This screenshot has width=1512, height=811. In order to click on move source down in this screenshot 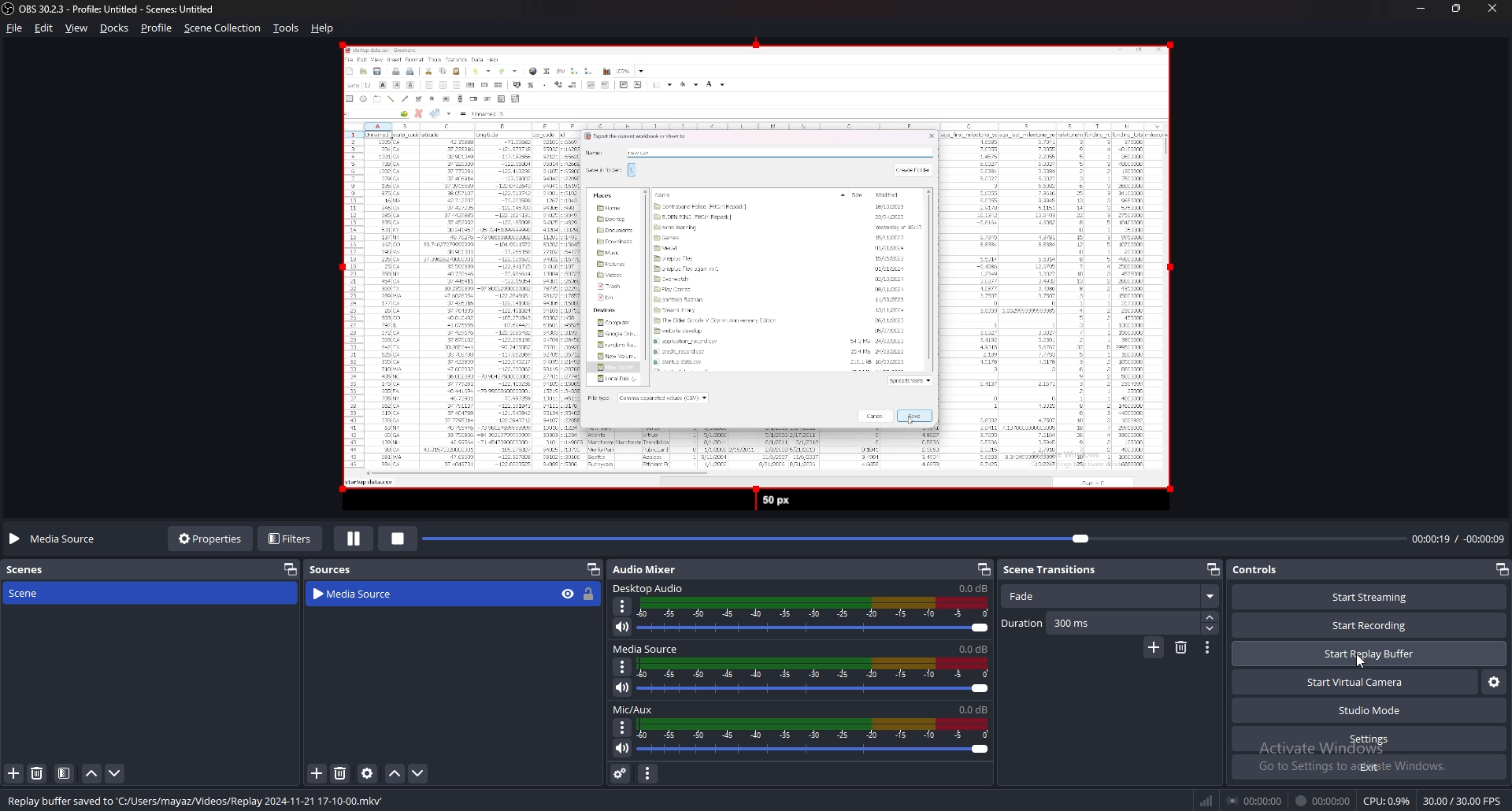, I will do `click(418, 773)`.